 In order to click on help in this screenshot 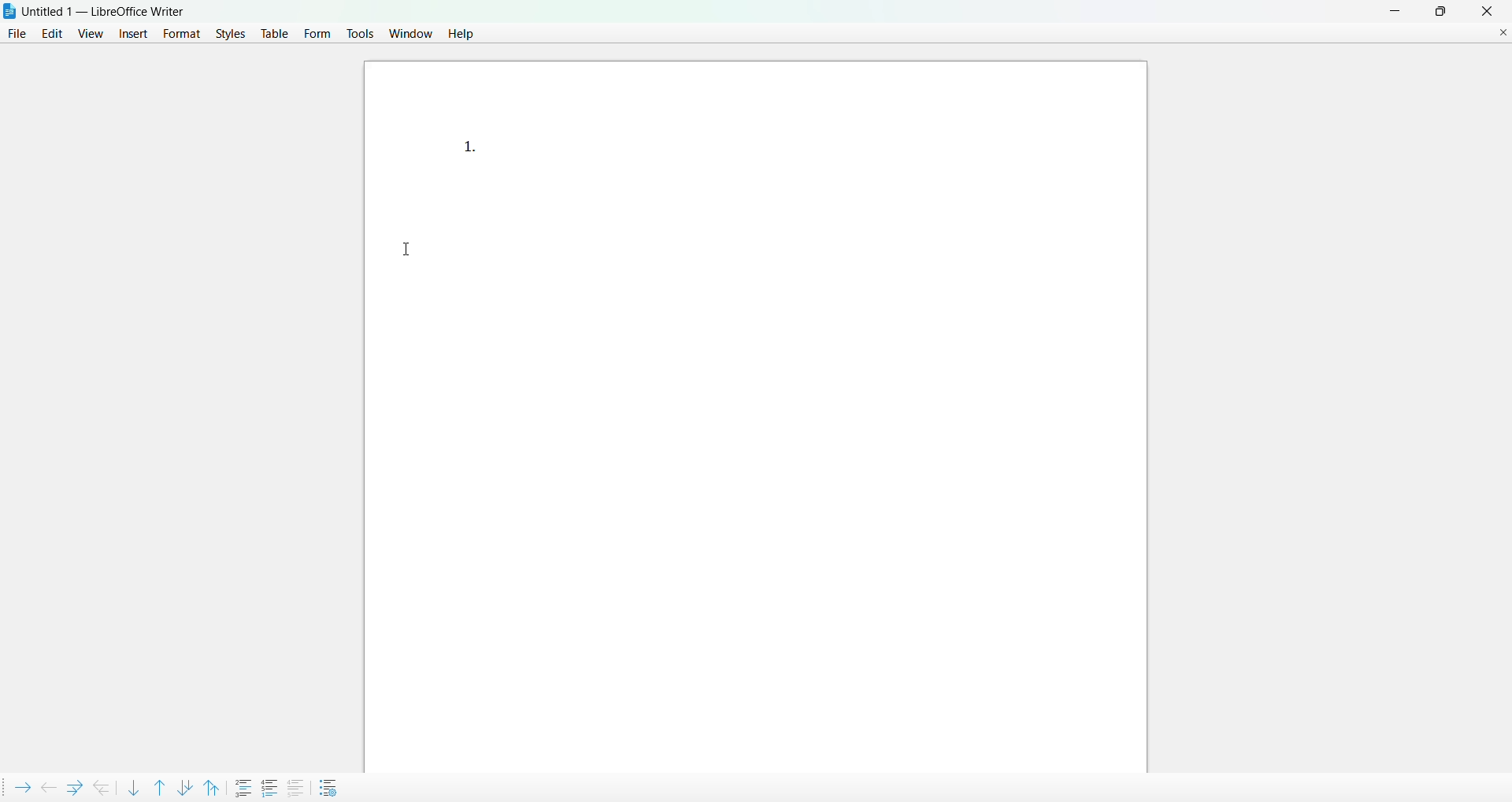, I will do `click(459, 35)`.